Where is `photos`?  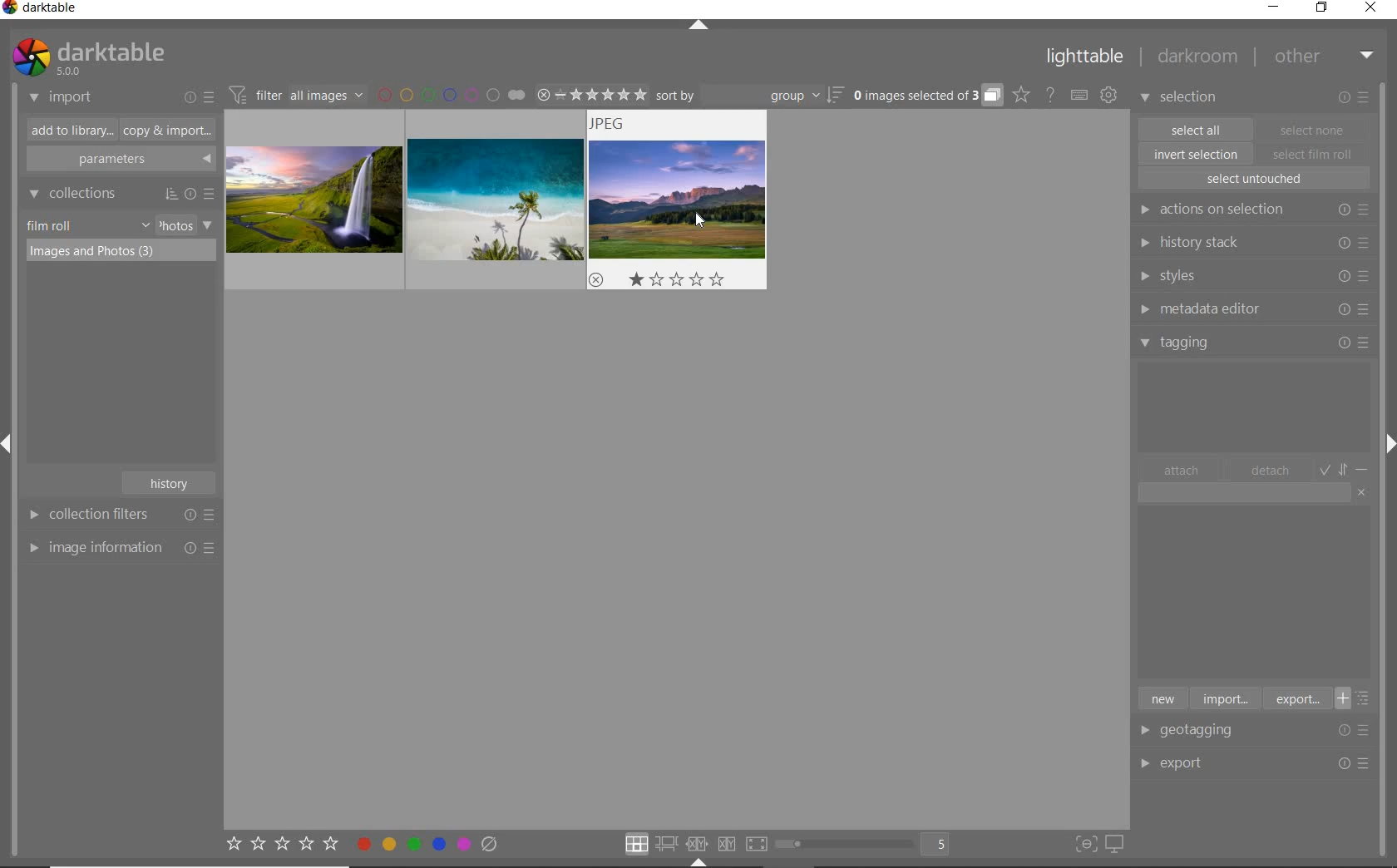
photos is located at coordinates (175, 225).